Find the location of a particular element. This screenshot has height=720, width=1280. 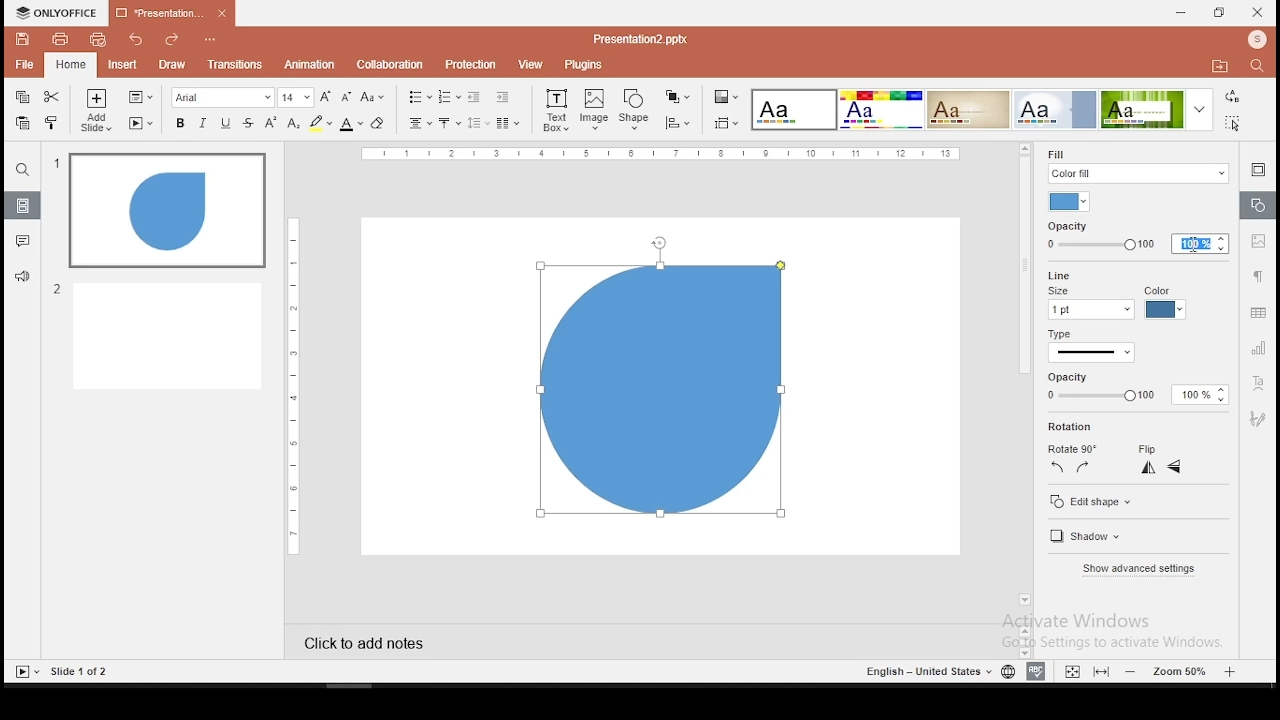

file is located at coordinates (24, 64).